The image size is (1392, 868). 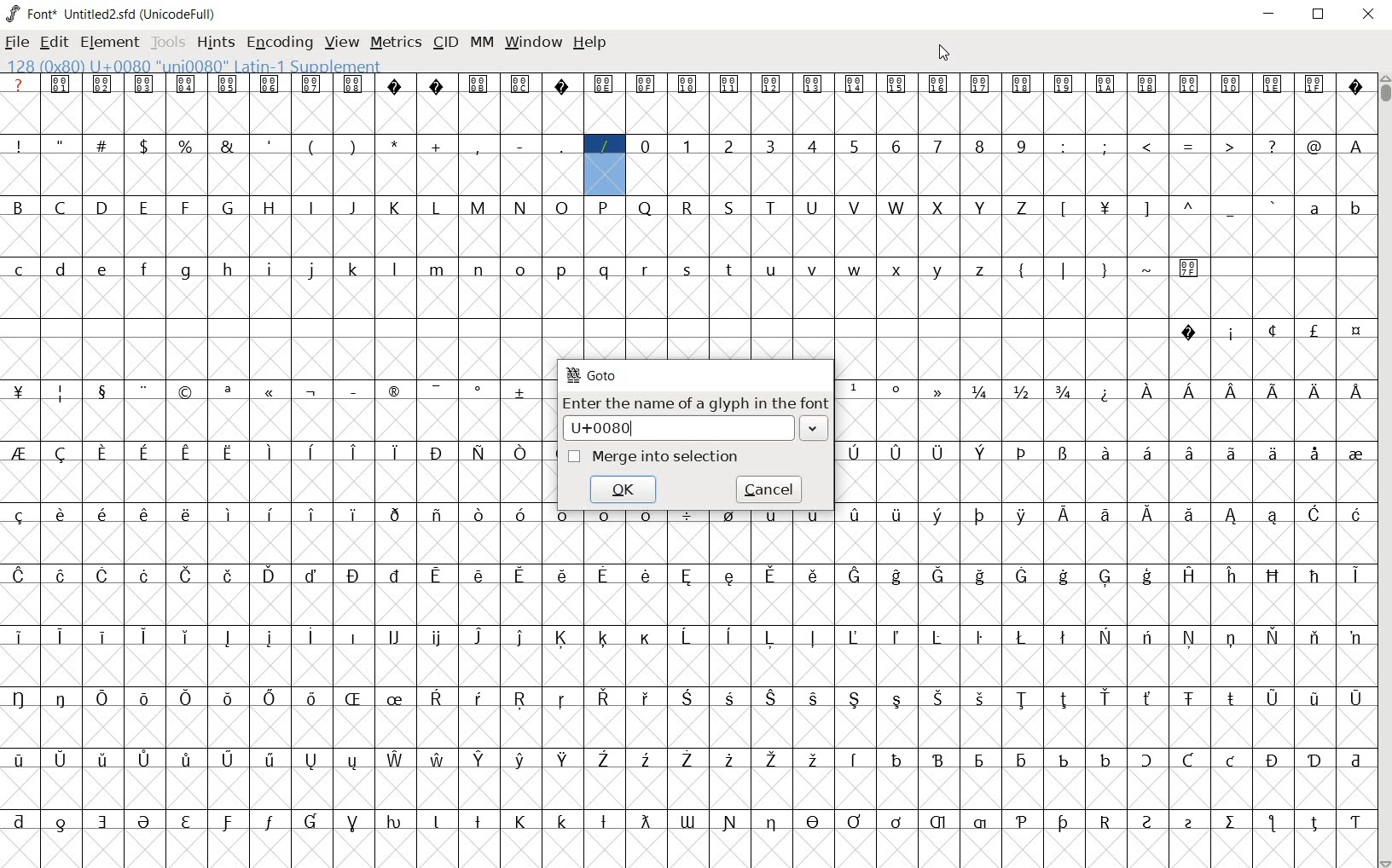 I want to click on glyph, so click(x=854, y=821).